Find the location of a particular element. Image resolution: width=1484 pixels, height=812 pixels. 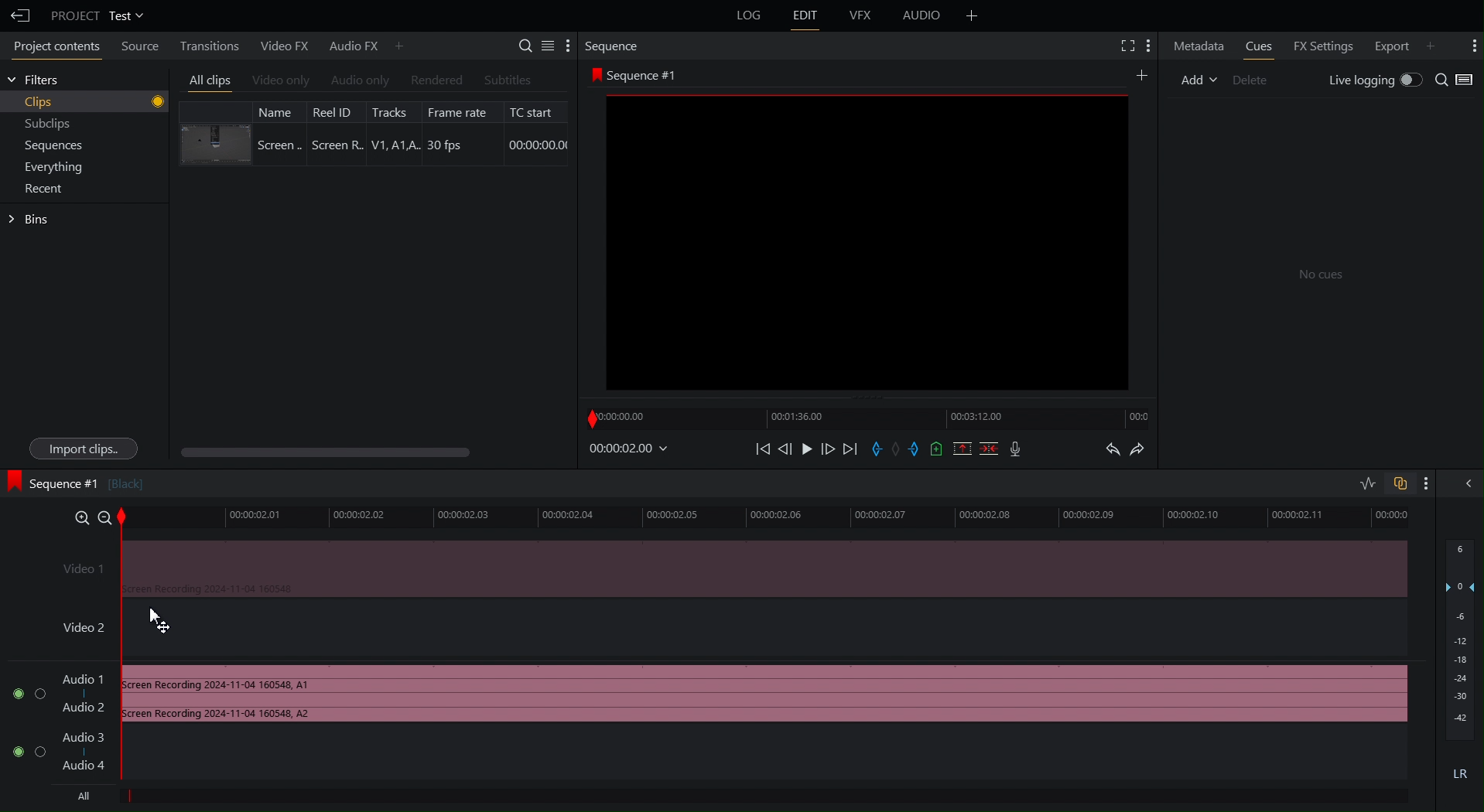

Audio FX is located at coordinates (362, 45).